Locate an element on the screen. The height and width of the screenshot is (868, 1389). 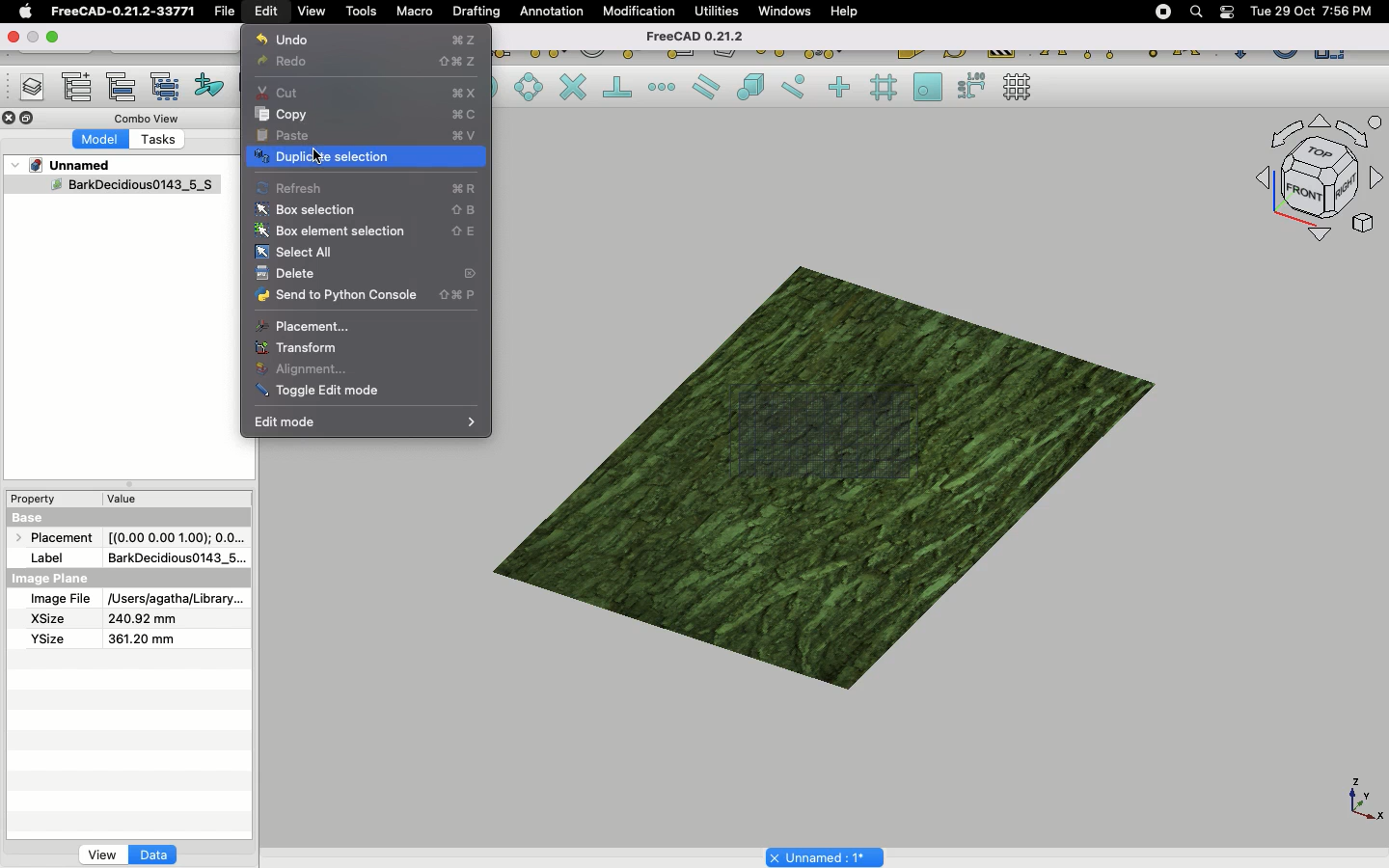
Combo view is located at coordinates (149, 118).